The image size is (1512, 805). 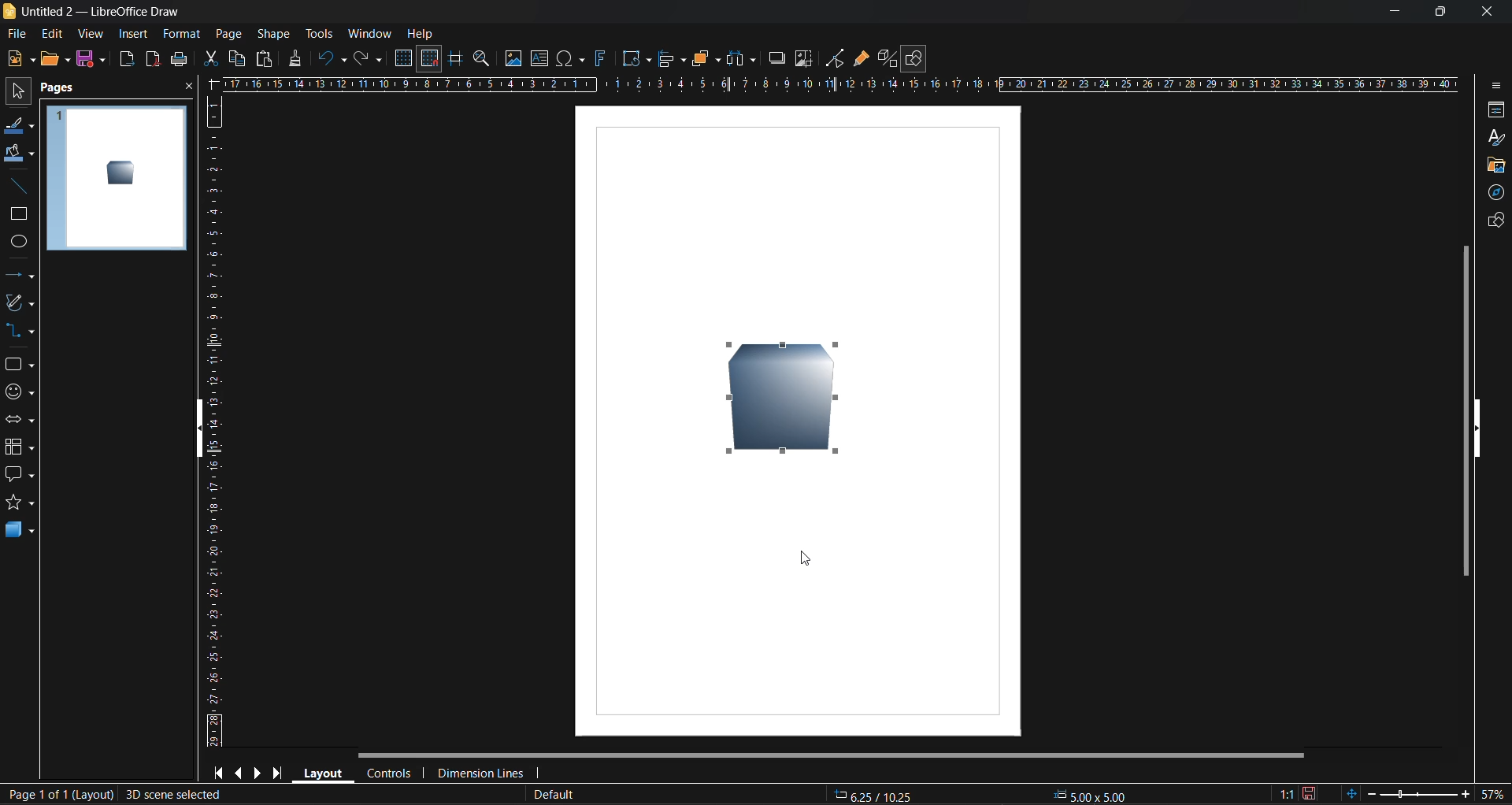 I want to click on sidebar, so click(x=1494, y=83).